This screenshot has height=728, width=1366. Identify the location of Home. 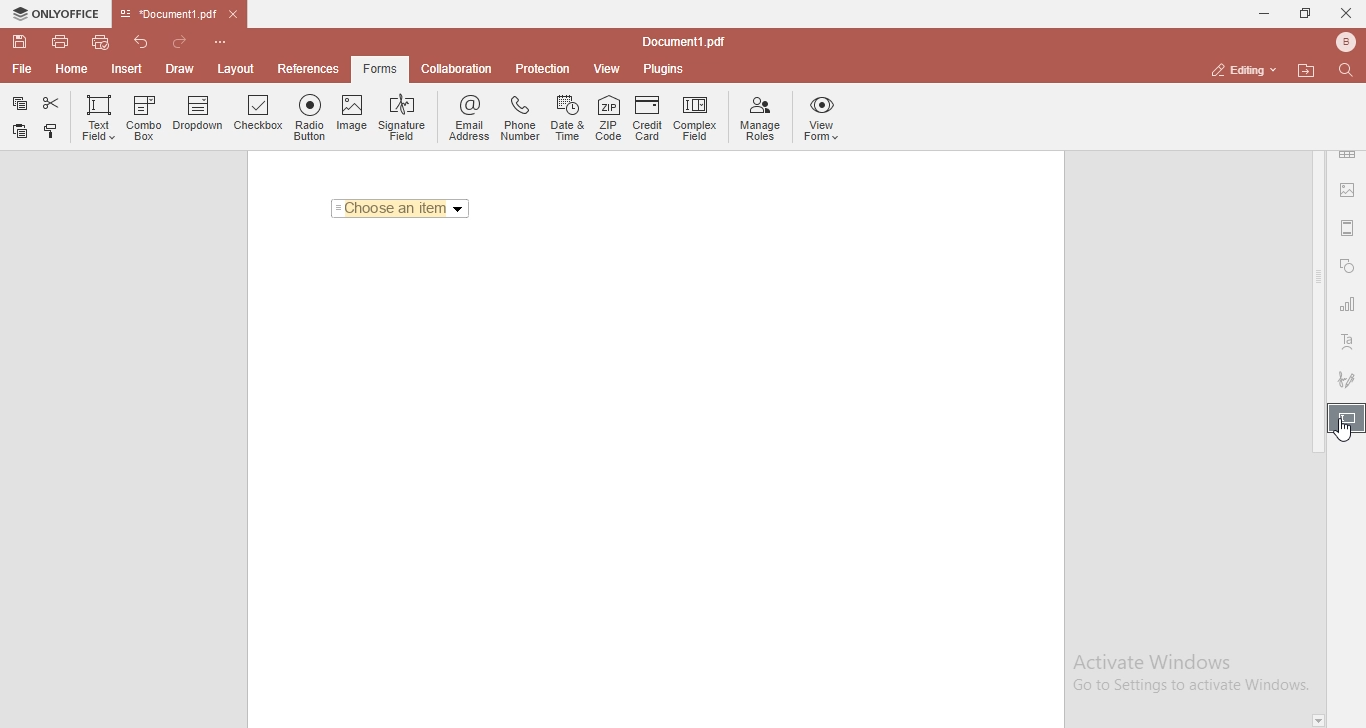
(73, 72).